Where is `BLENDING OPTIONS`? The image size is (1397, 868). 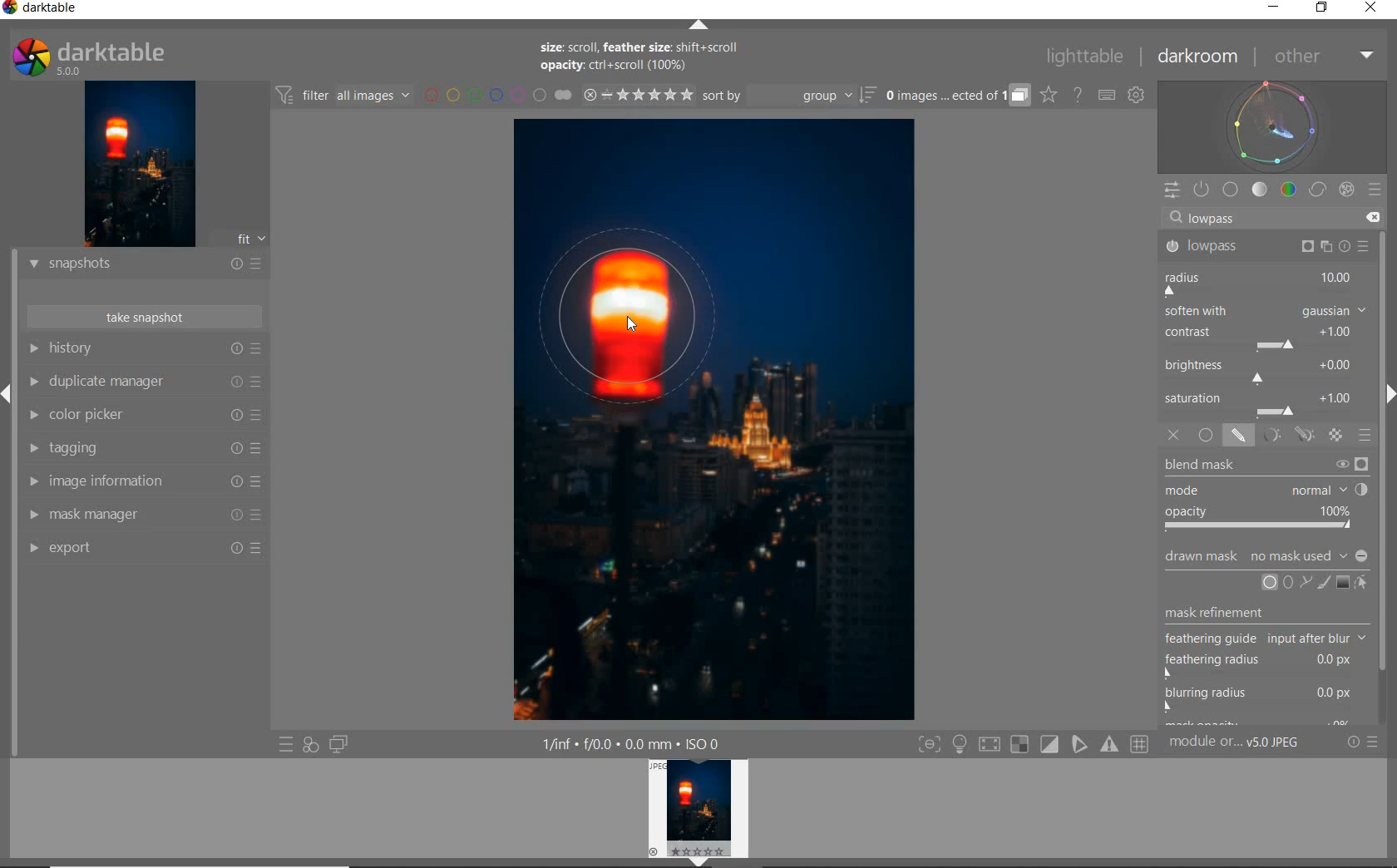 BLENDING OPTIONS is located at coordinates (1366, 436).